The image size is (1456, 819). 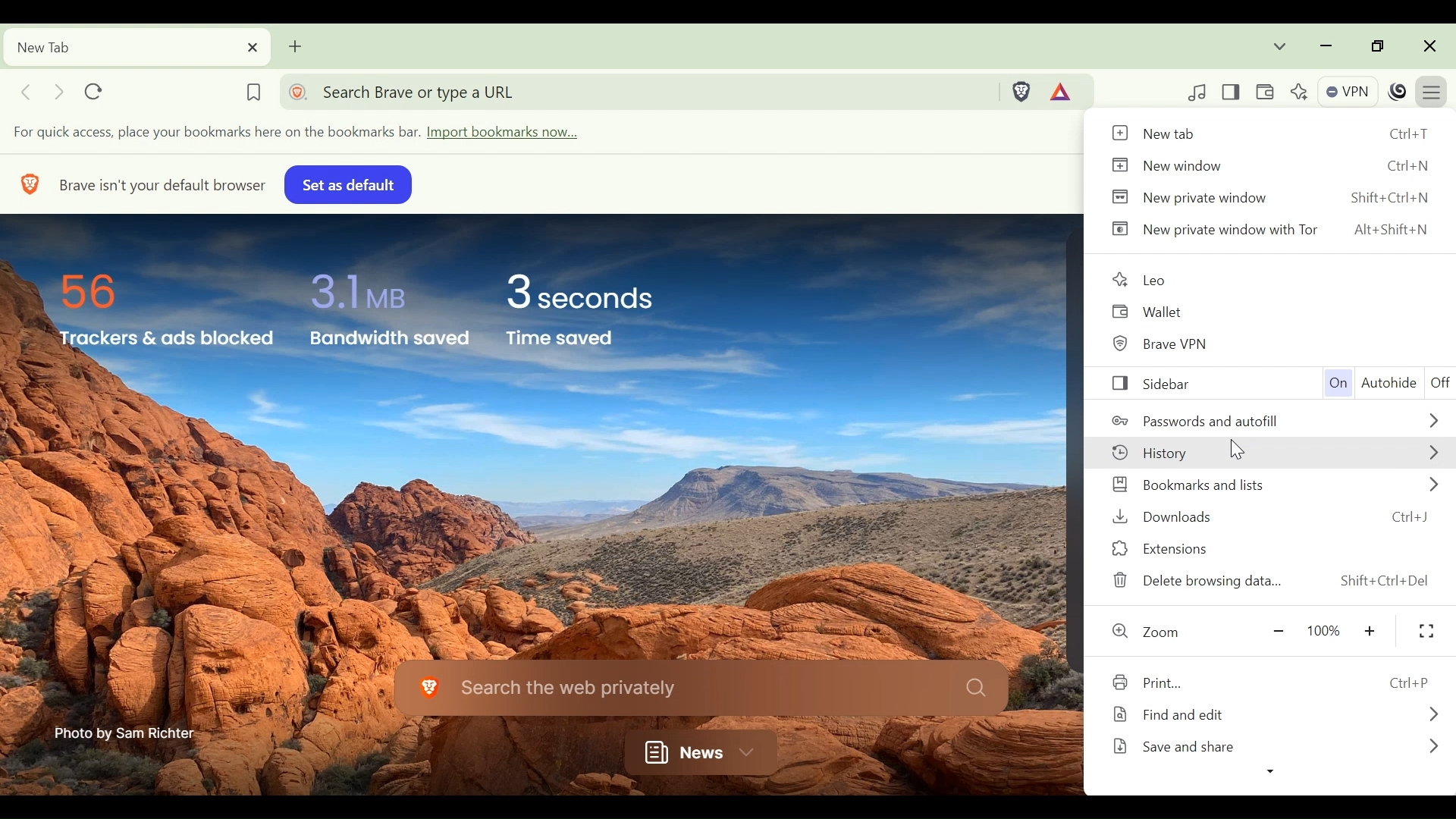 I want to click on Fit to screen, so click(x=1426, y=632).